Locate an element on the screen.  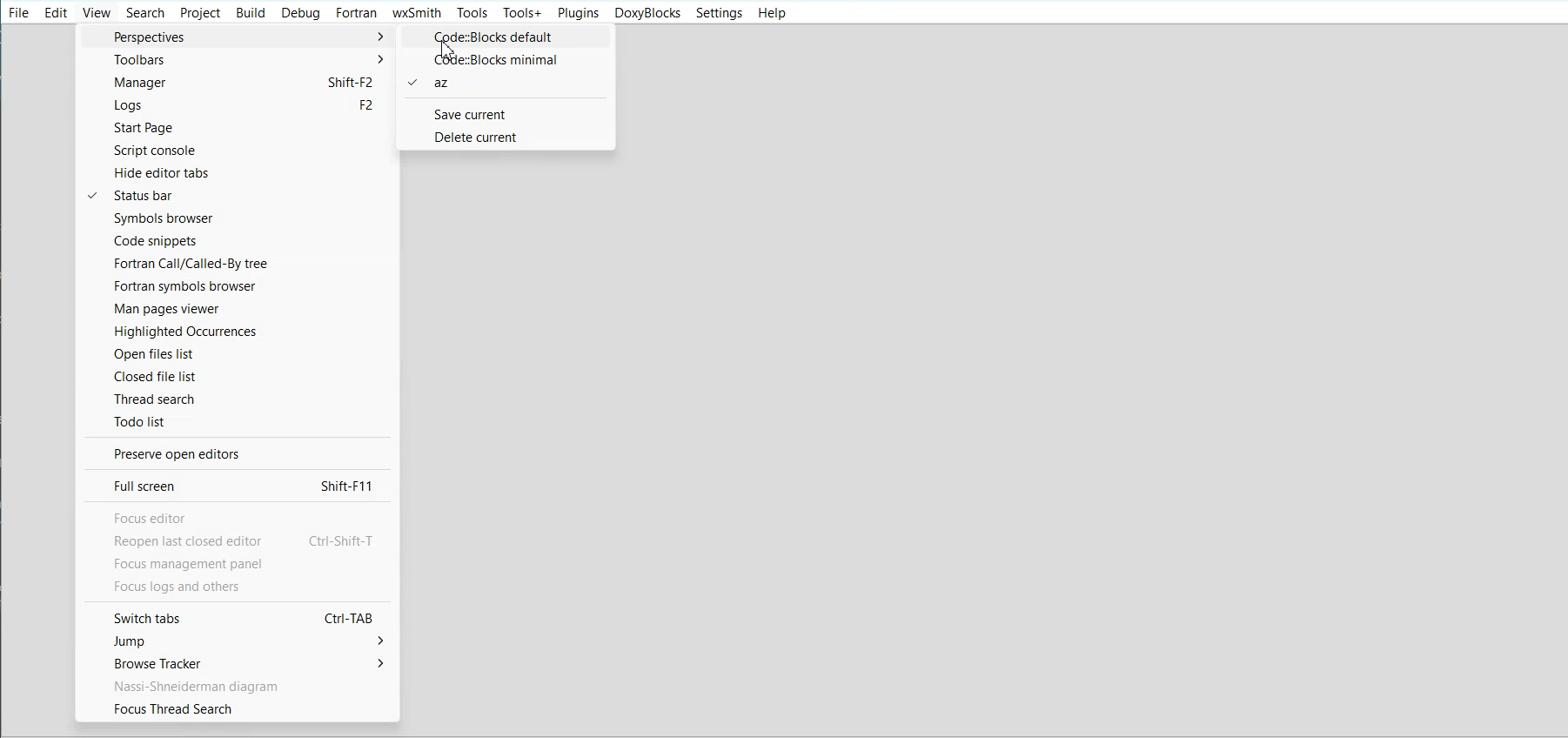
Help is located at coordinates (770, 14).